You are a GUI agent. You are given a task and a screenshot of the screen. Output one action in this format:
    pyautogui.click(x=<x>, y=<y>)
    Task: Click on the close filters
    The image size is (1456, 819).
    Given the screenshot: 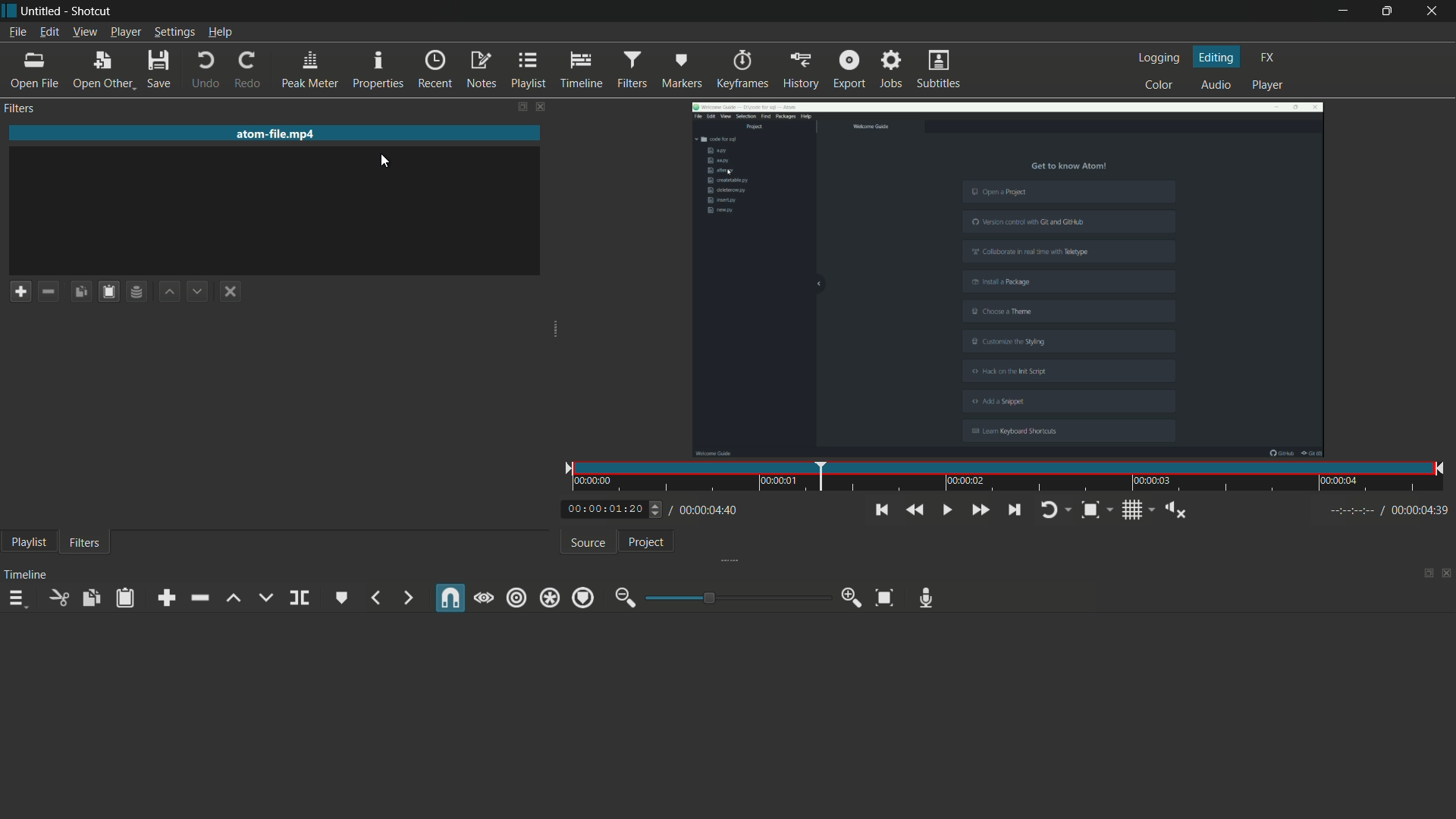 What is the action you would take?
    pyautogui.click(x=543, y=108)
    